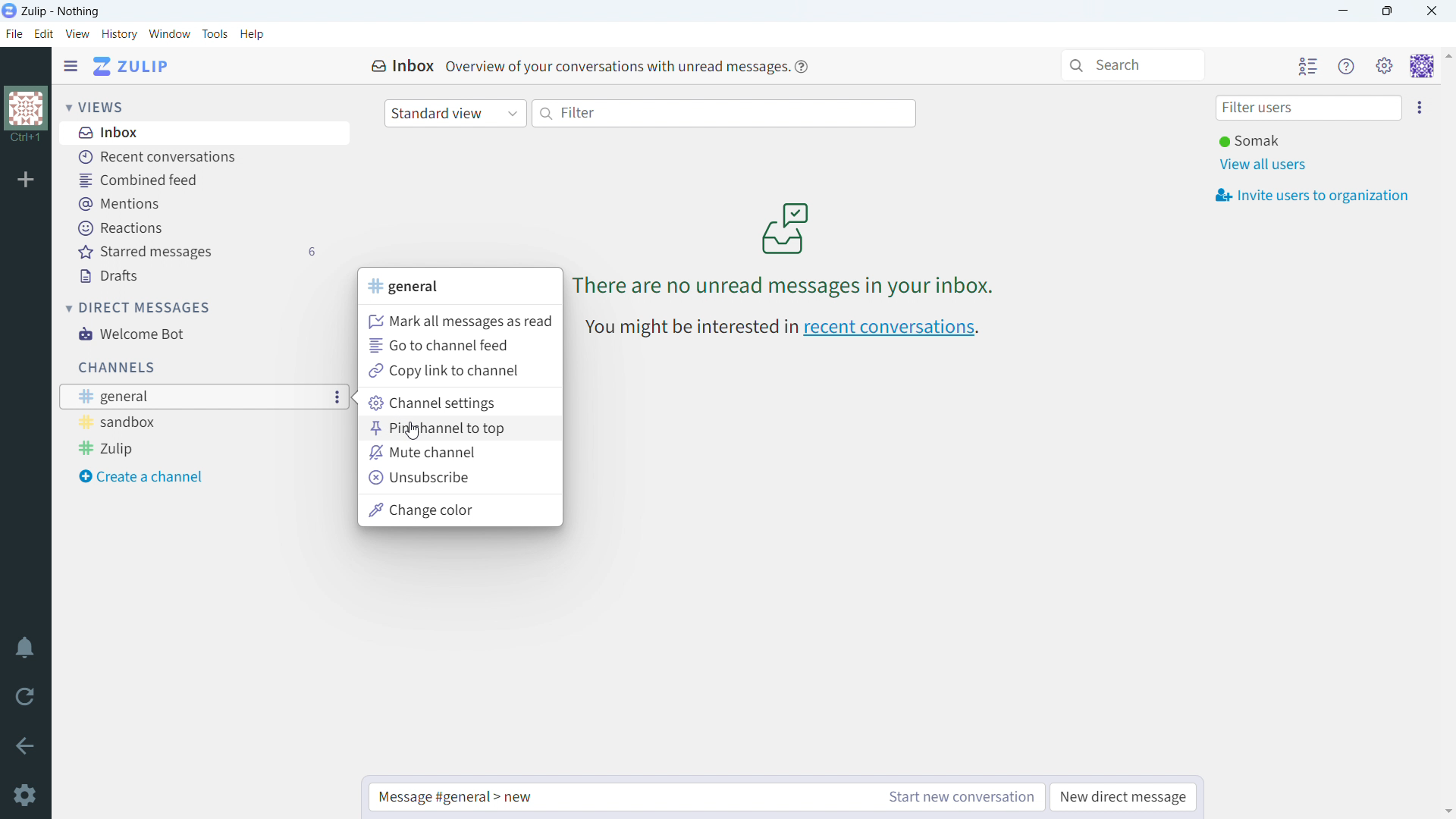 This screenshot has width=1456, height=819. What do you see at coordinates (461, 403) in the screenshot?
I see `channel settings` at bounding box center [461, 403].